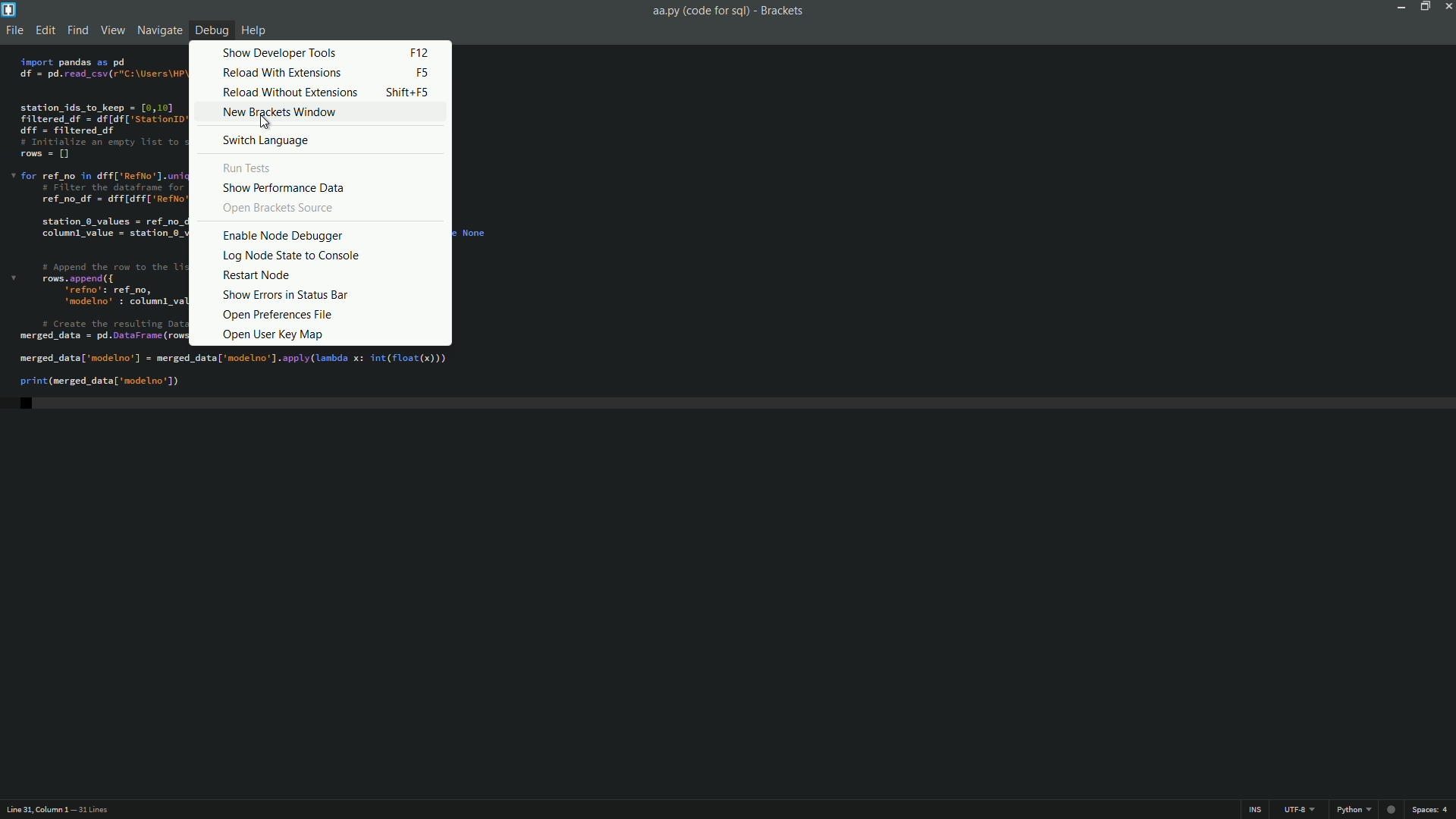 The height and width of the screenshot is (819, 1456). I want to click on Keyboard shortcut, so click(418, 52).